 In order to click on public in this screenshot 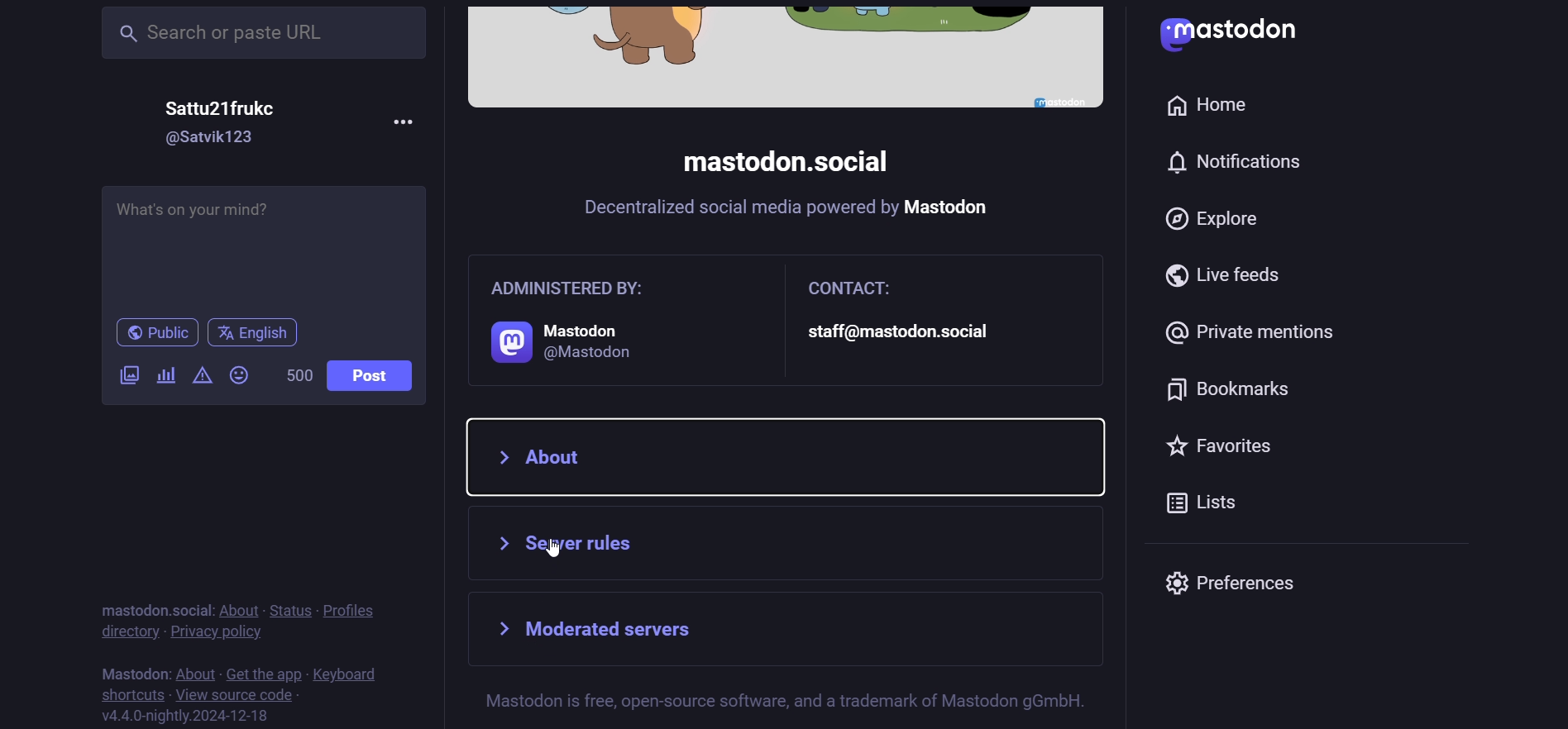, I will do `click(148, 334)`.